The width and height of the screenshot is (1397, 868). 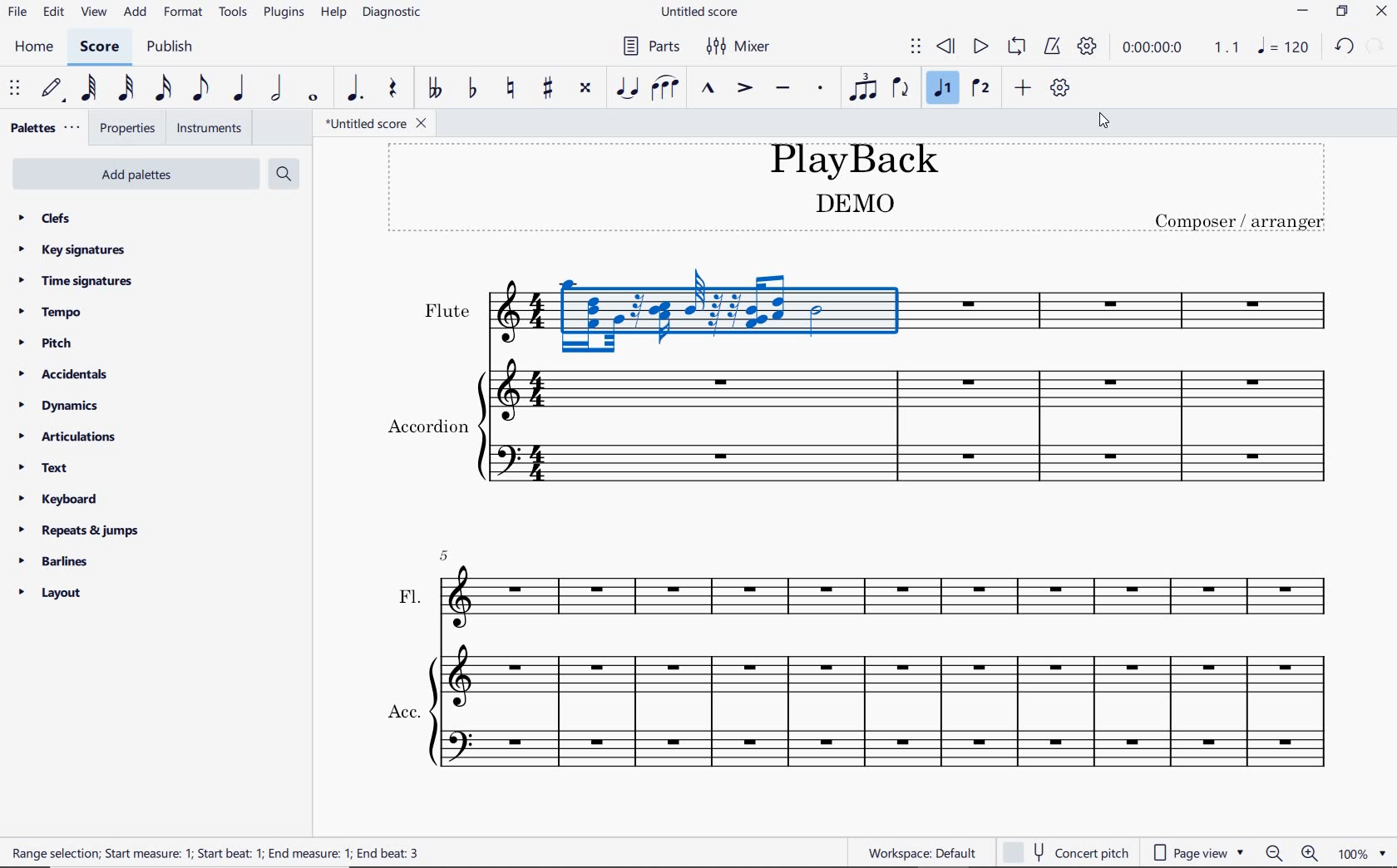 What do you see at coordinates (861, 86) in the screenshot?
I see `tuplet` at bounding box center [861, 86].